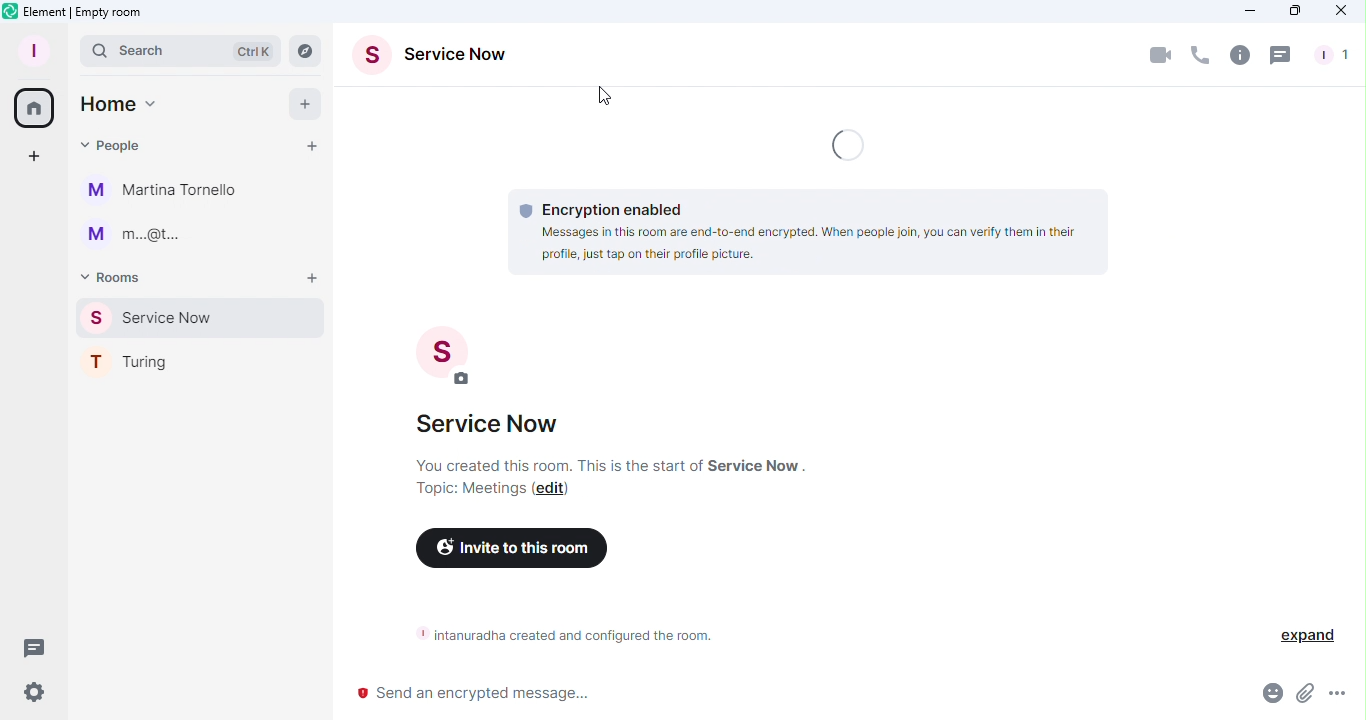 This screenshot has height=720, width=1366. What do you see at coordinates (30, 49) in the screenshot?
I see `Profile` at bounding box center [30, 49].